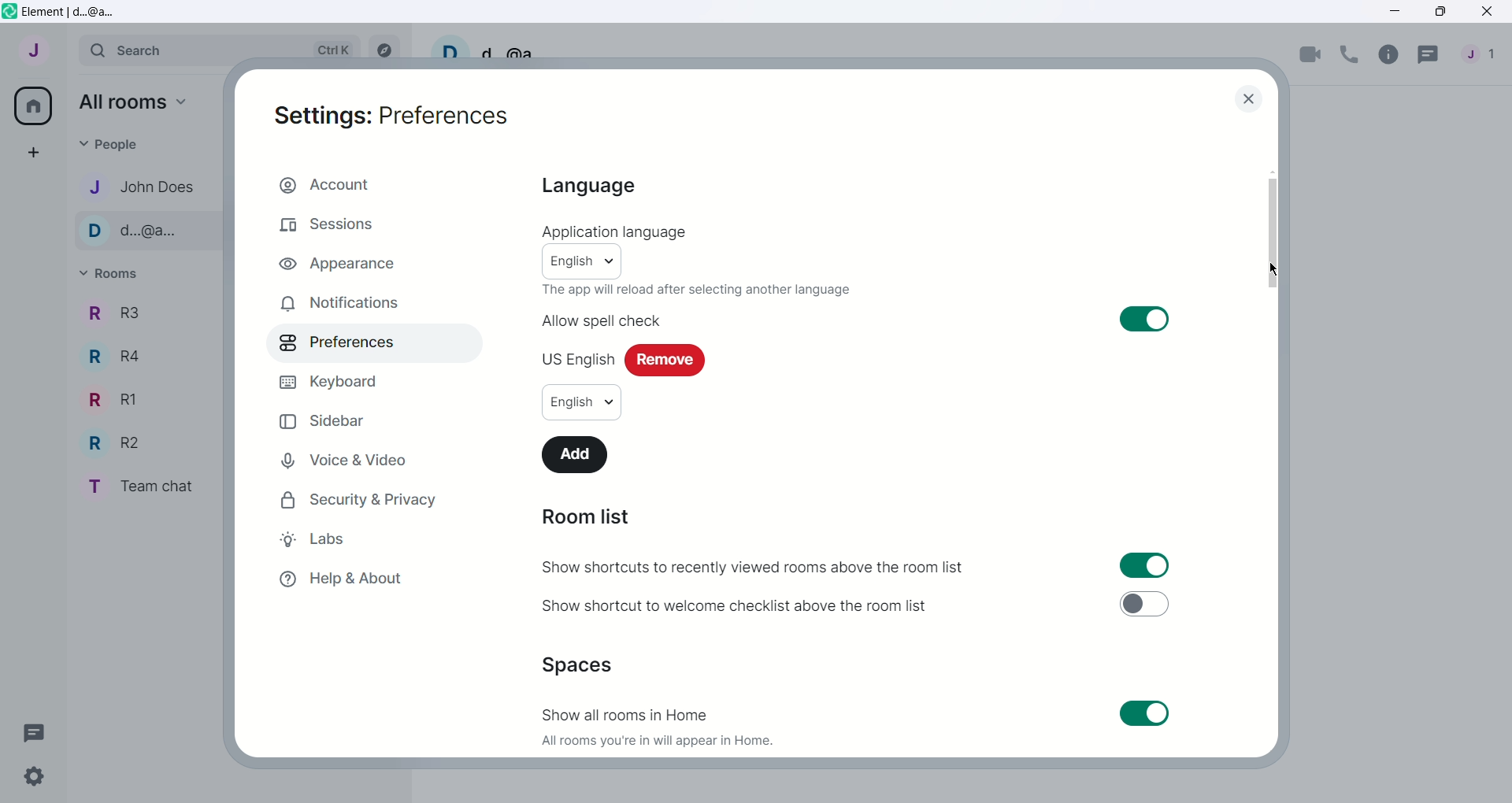  What do you see at coordinates (35, 732) in the screenshot?
I see `Threads` at bounding box center [35, 732].